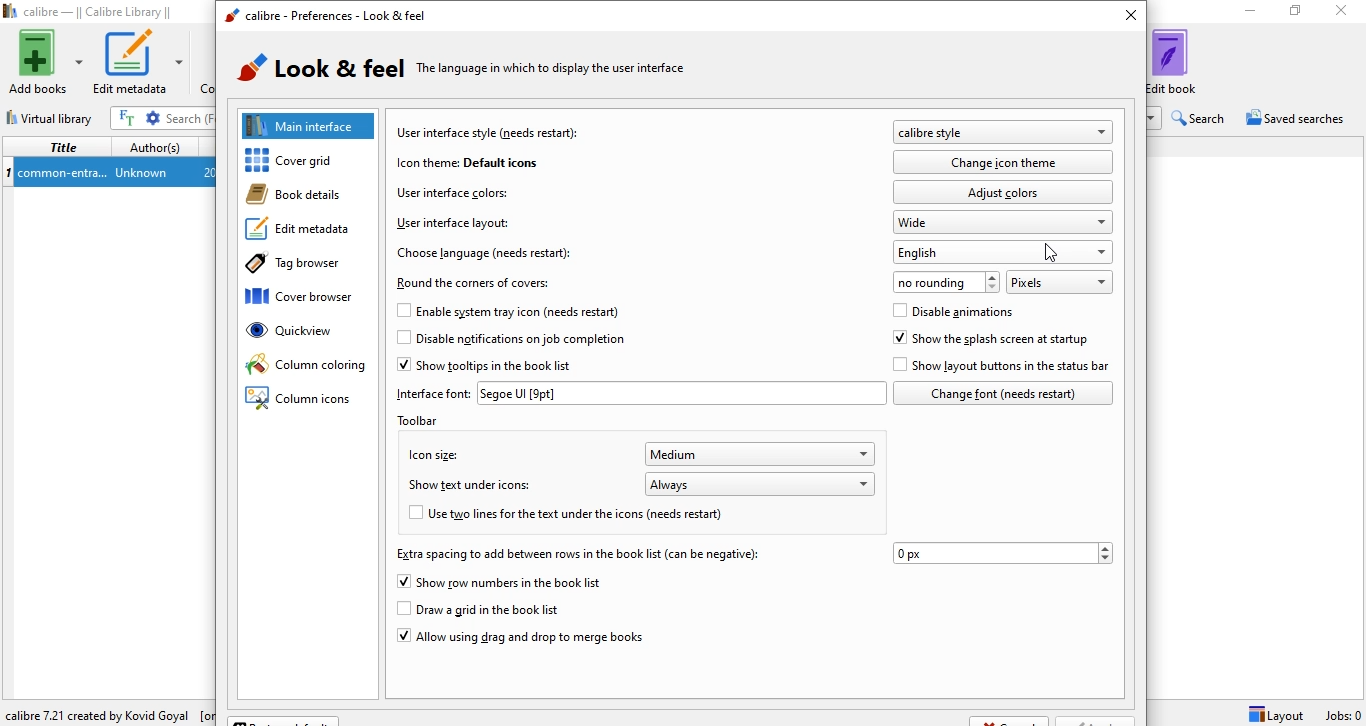 The image size is (1366, 726). I want to click on icon size, so click(430, 453).